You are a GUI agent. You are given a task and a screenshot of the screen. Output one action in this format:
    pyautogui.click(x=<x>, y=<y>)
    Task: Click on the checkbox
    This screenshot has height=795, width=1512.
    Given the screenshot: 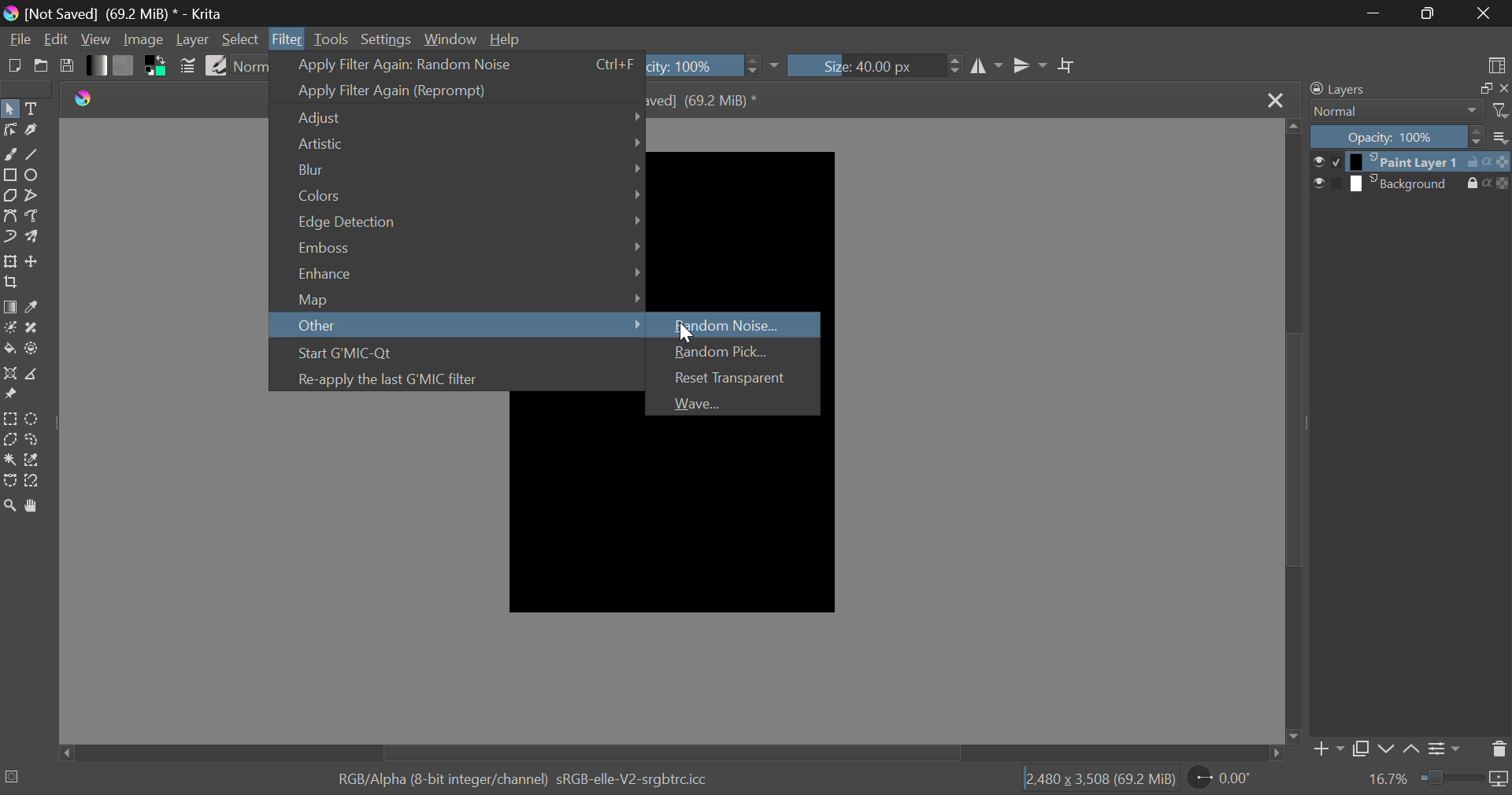 What is the action you would take?
    pyautogui.click(x=1333, y=162)
    